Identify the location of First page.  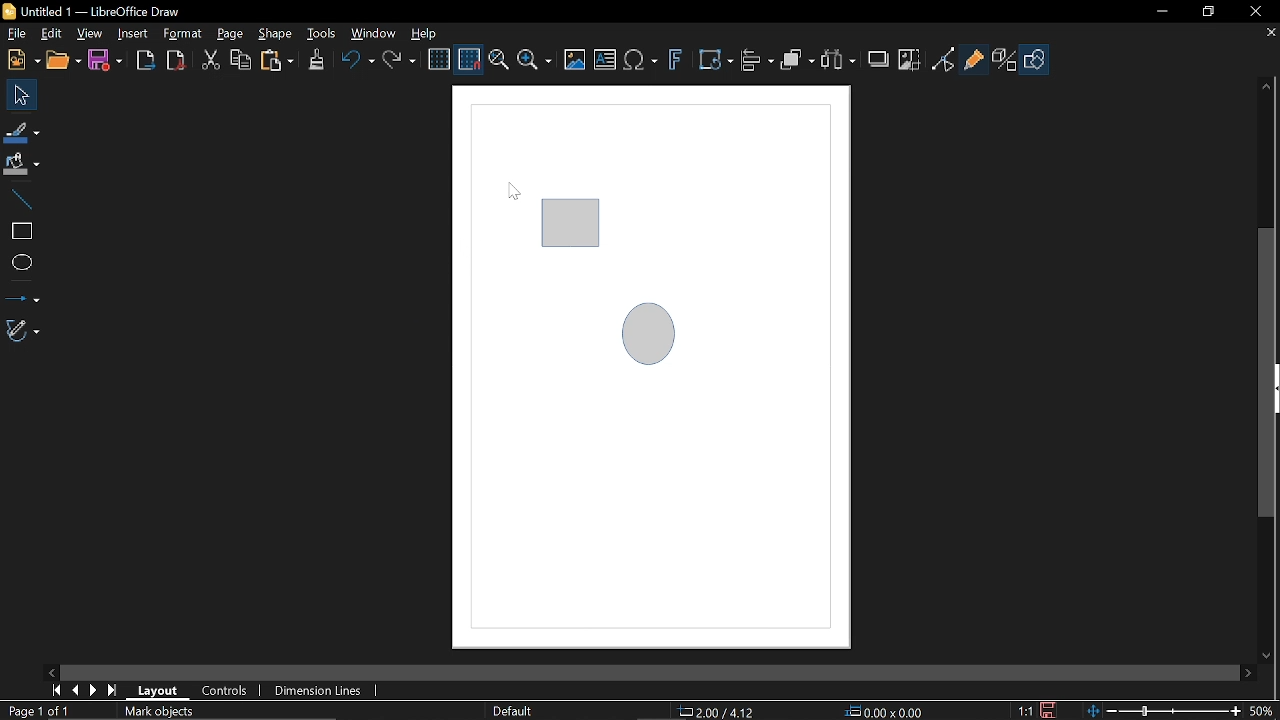
(55, 690).